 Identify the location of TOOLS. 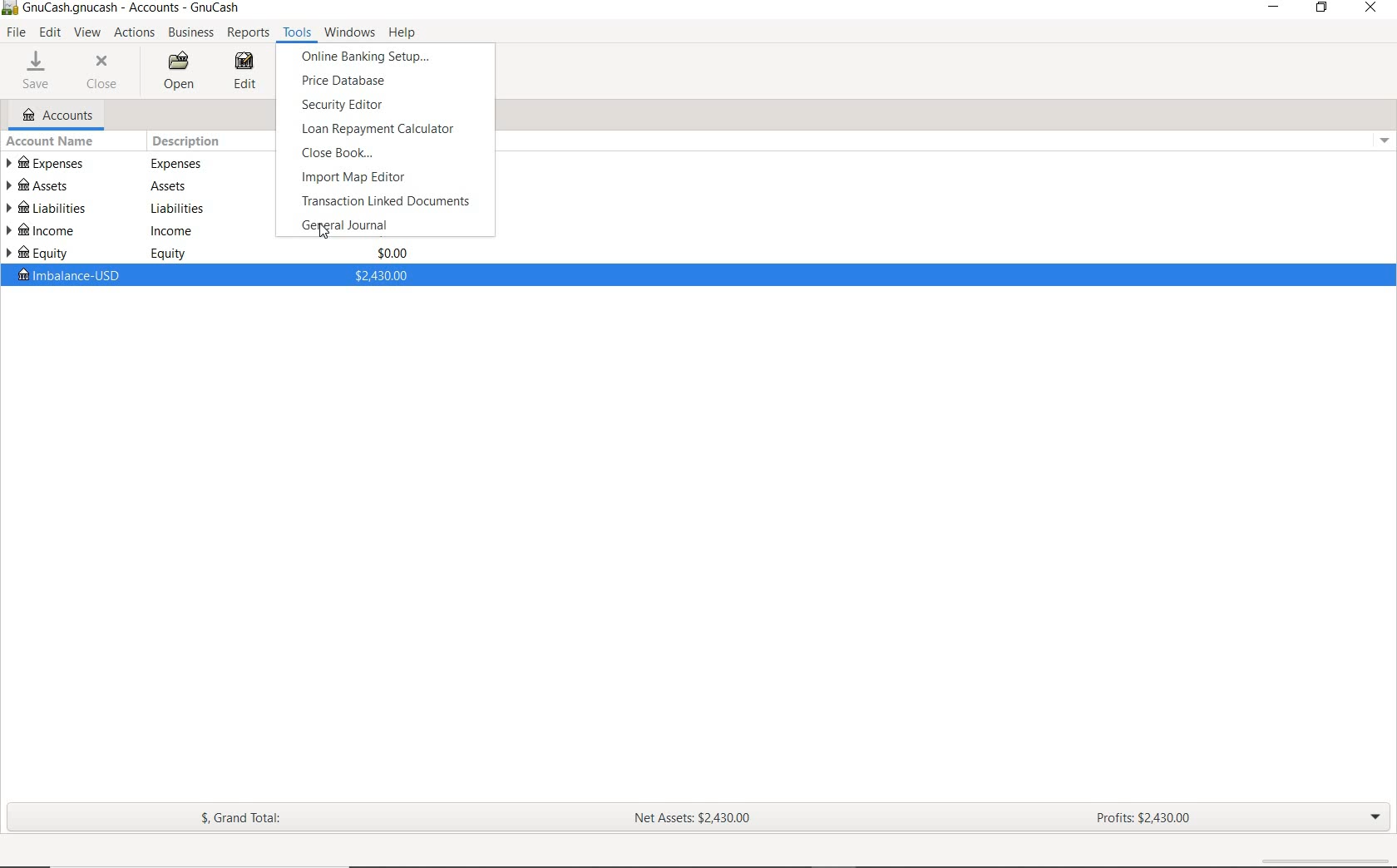
(297, 33).